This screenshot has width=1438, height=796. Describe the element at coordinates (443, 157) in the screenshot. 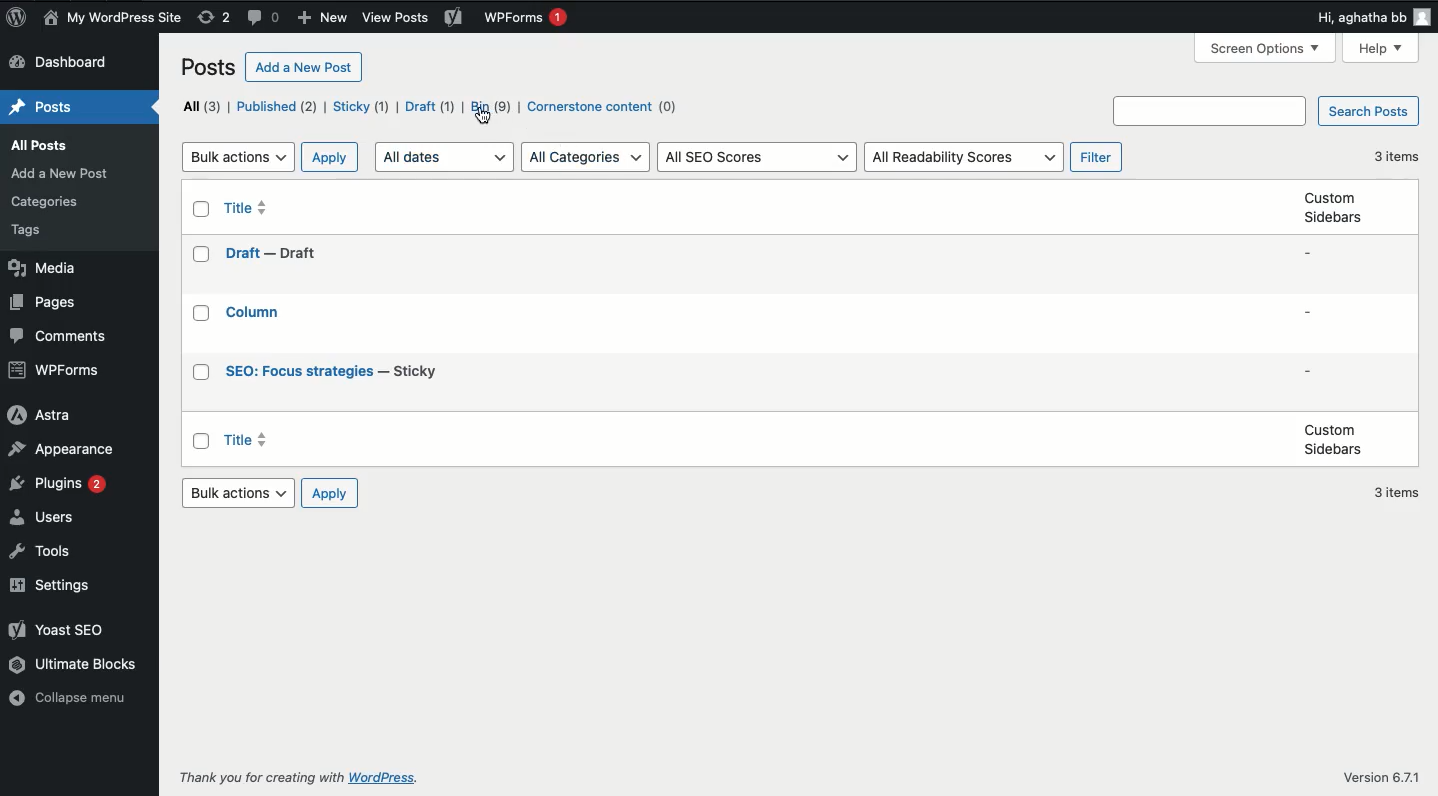

I see `All dates` at that location.